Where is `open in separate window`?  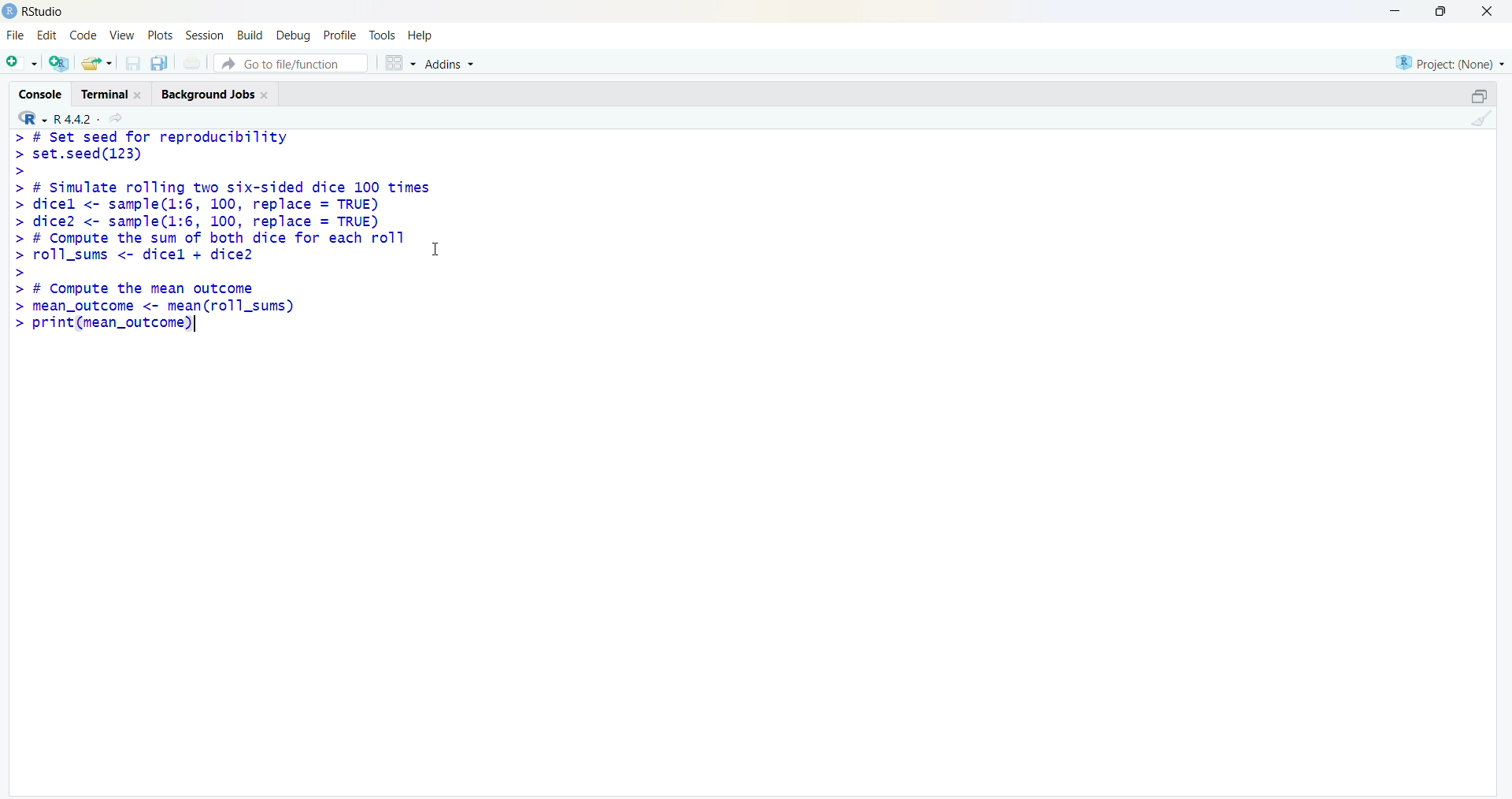
open in separate window is located at coordinates (1480, 96).